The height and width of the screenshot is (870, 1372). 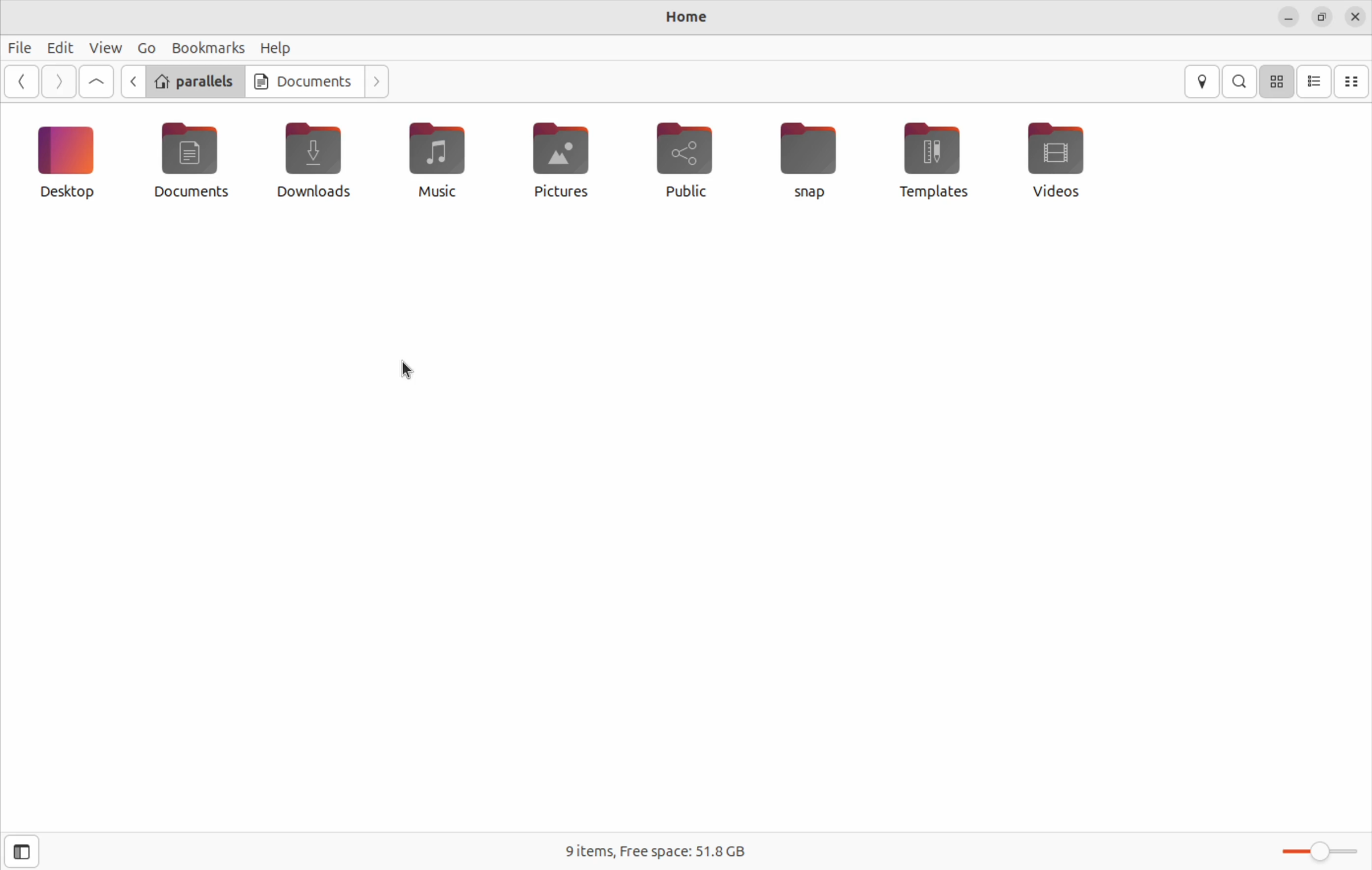 What do you see at coordinates (1321, 849) in the screenshot?
I see `Toggle bar` at bounding box center [1321, 849].